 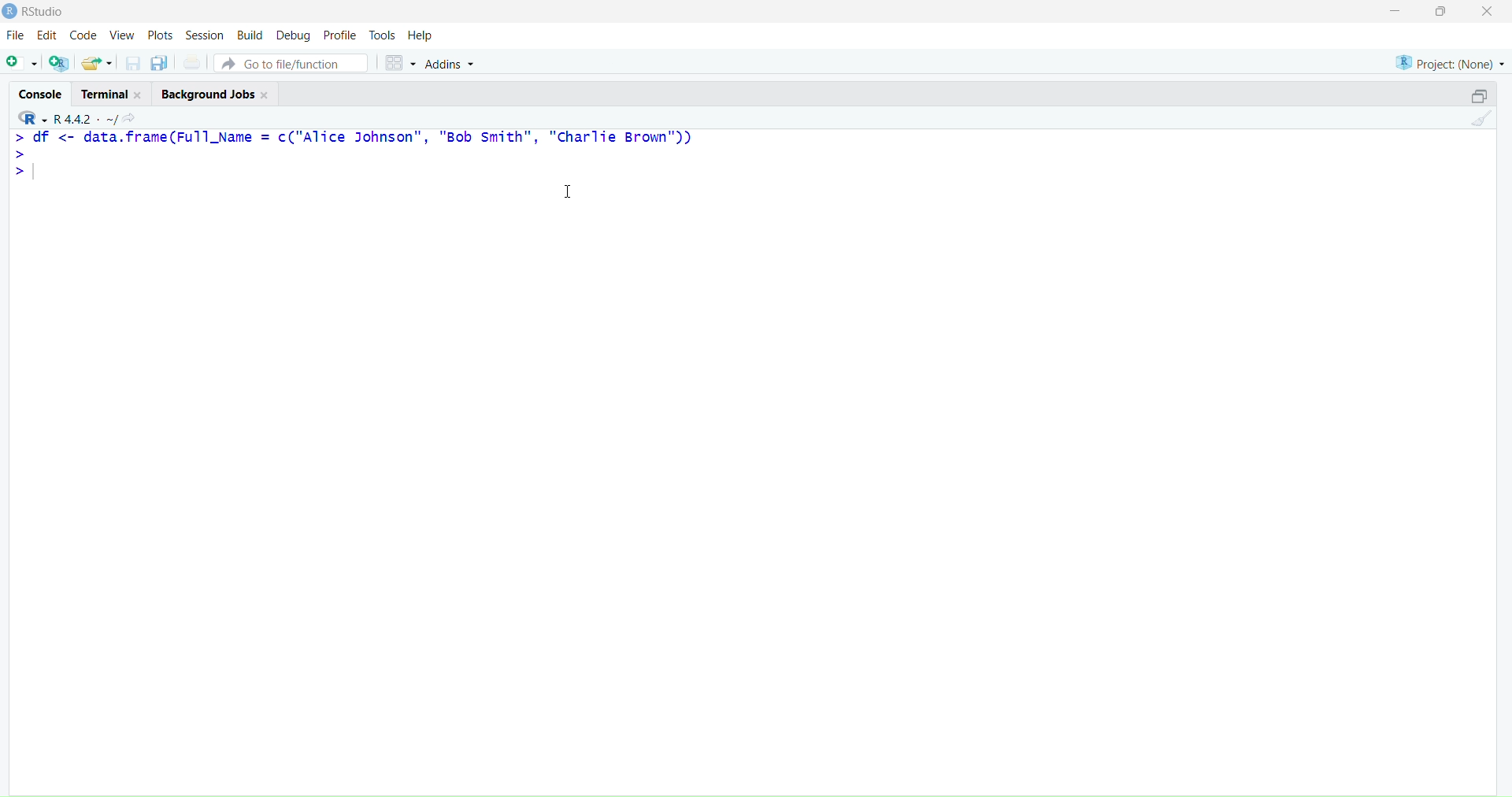 What do you see at coordinates (28, 117) in the screenshot?
I see `R` at bounding box center [28, 117].